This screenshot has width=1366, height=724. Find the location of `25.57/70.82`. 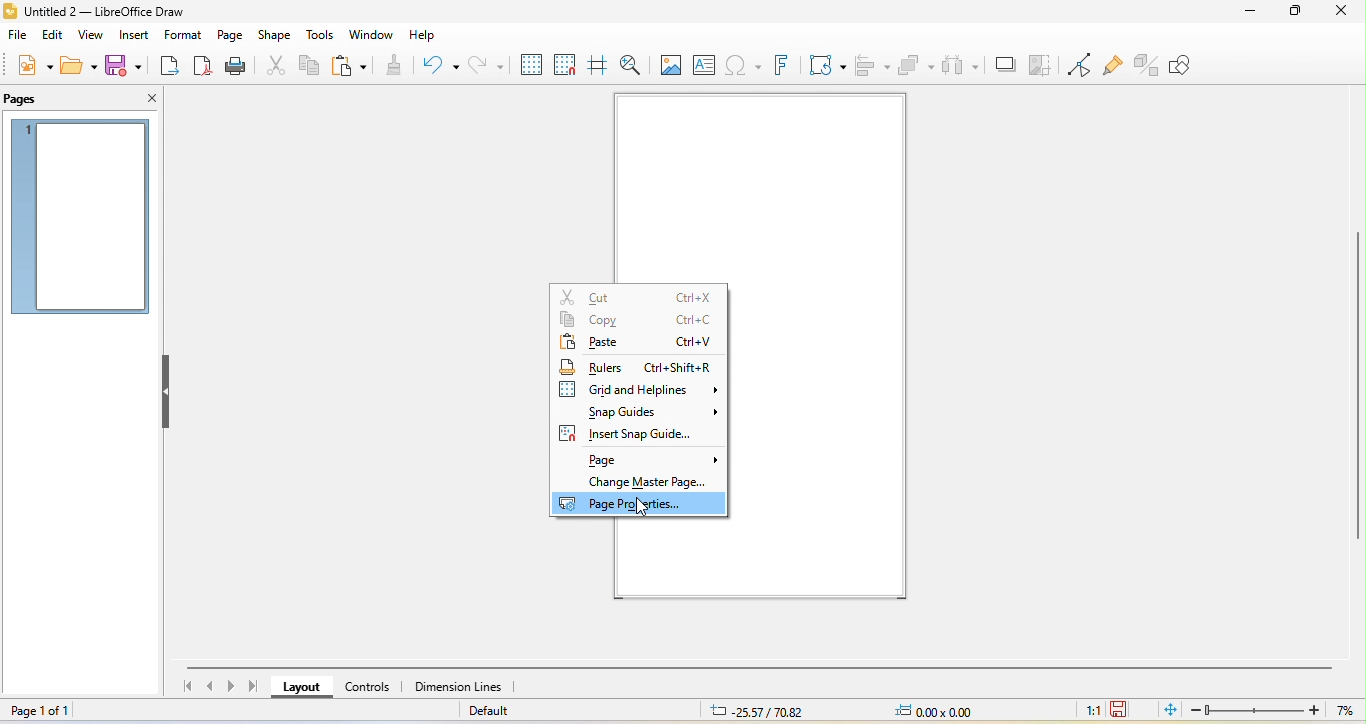

25.57/70.82 is located at coordinates (757, 711).